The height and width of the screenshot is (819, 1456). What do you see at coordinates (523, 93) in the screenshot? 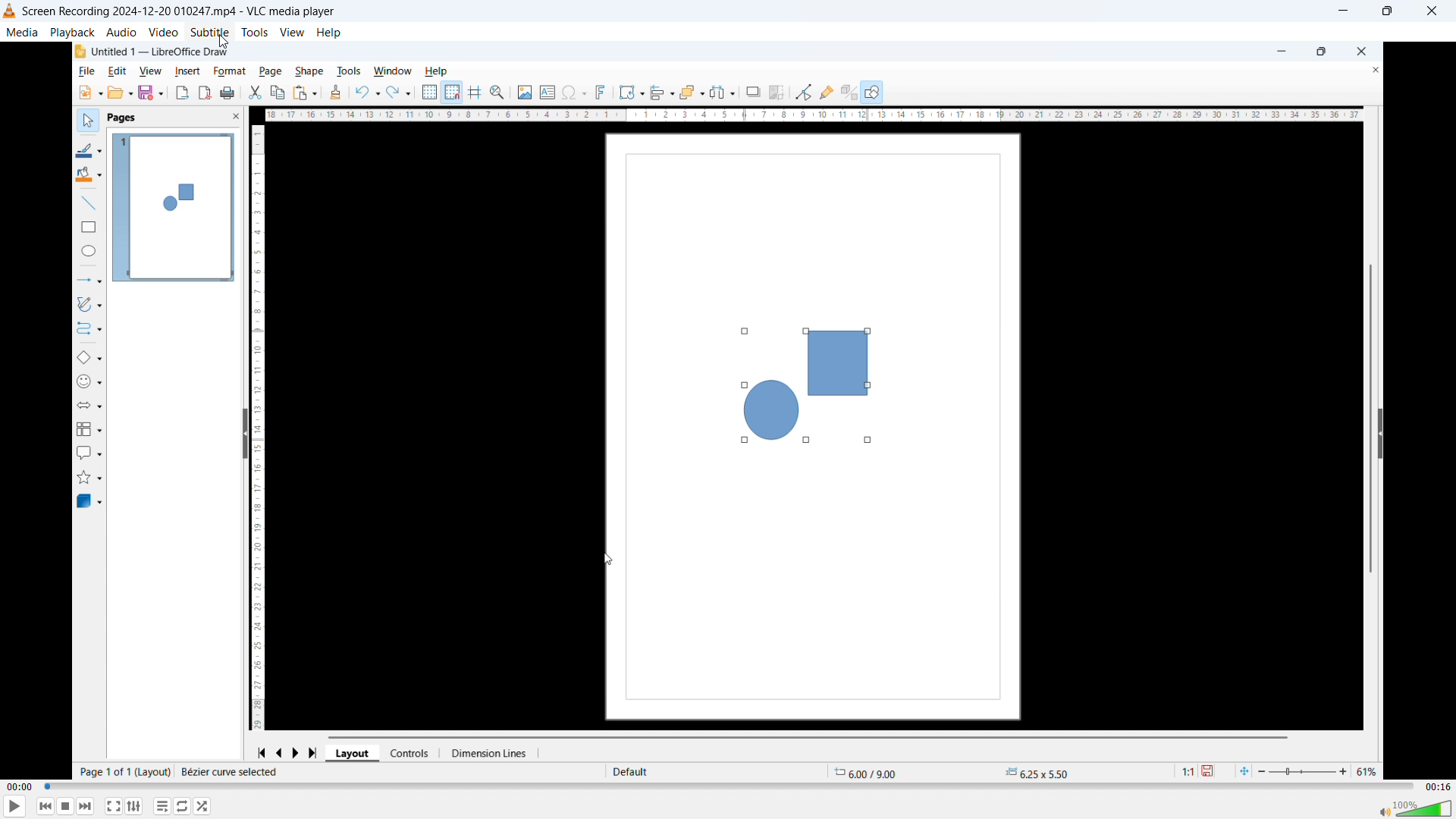
I see `image` at bounding box center [523, 93].